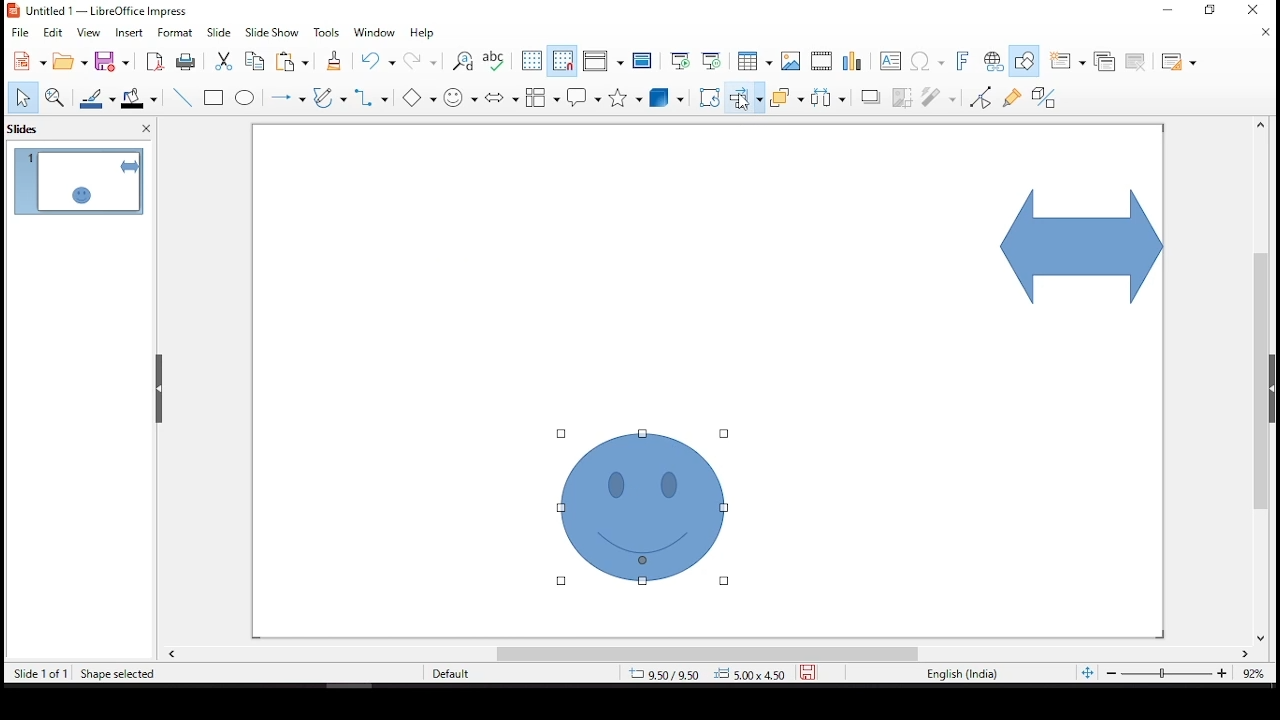 The image size is (1280, 720). Describe the element at coordinates (743, 98) in the screenshot. I see `align objects` at that location.